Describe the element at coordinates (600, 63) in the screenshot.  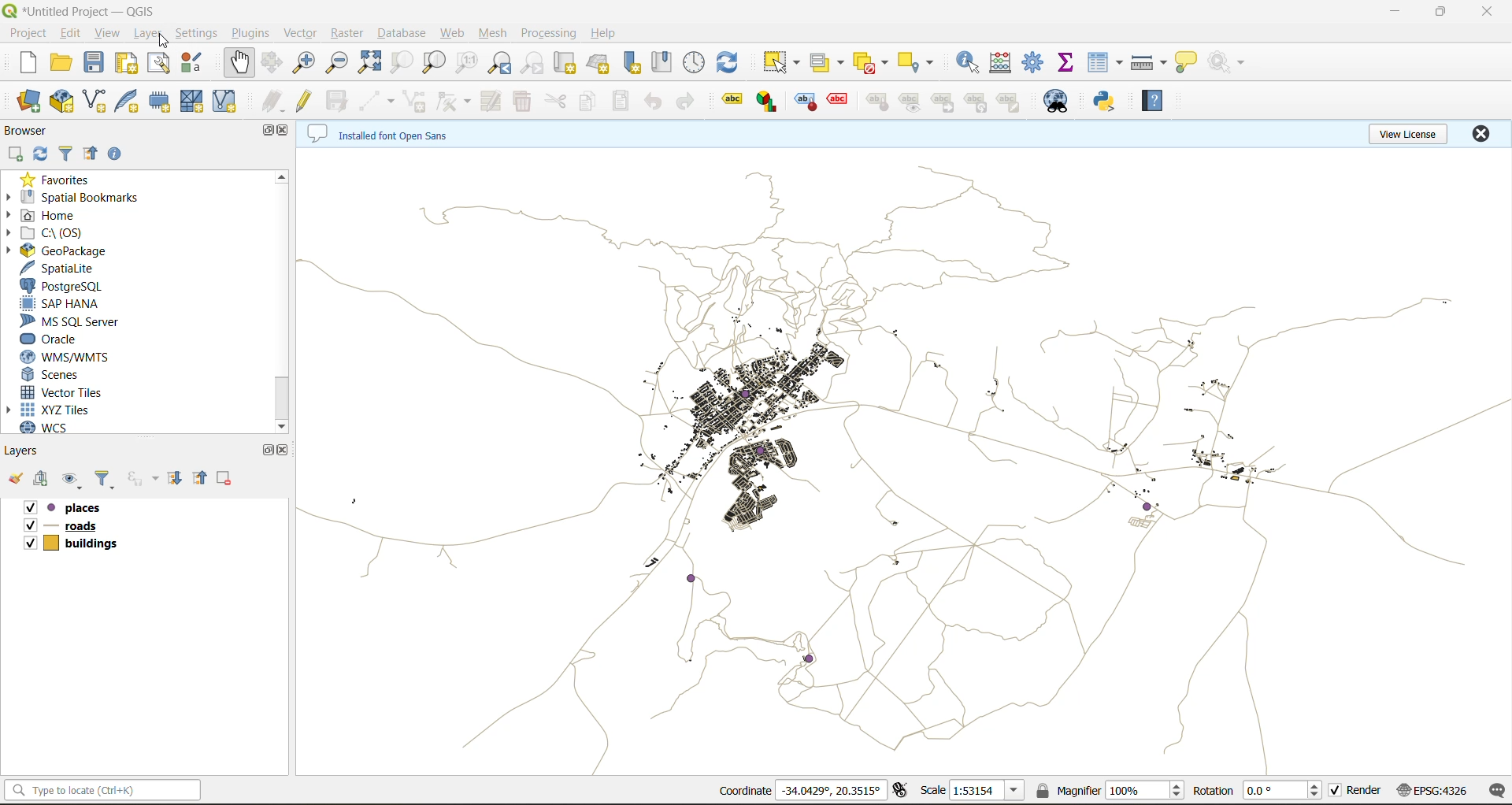
I see `new 3d map` at that location.